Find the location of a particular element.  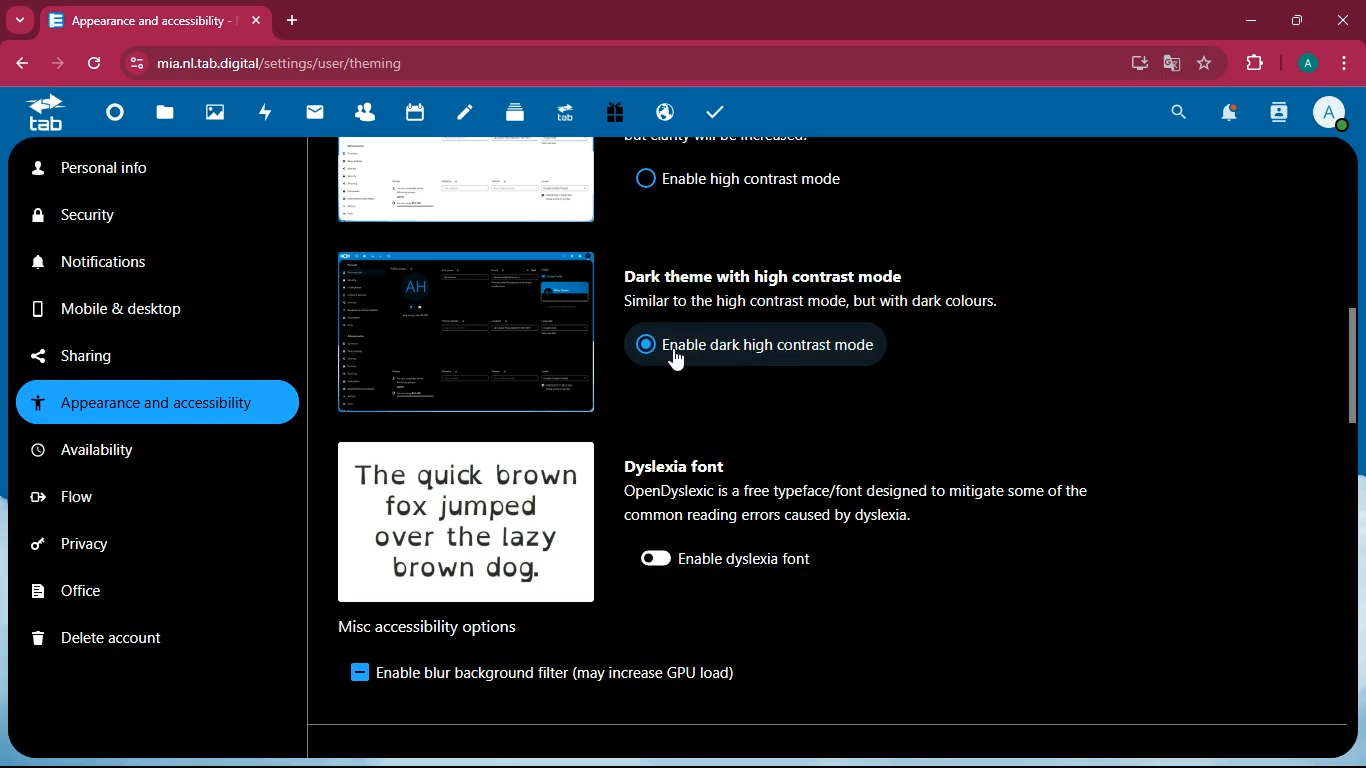

enable is located at coordinates (751, 179).